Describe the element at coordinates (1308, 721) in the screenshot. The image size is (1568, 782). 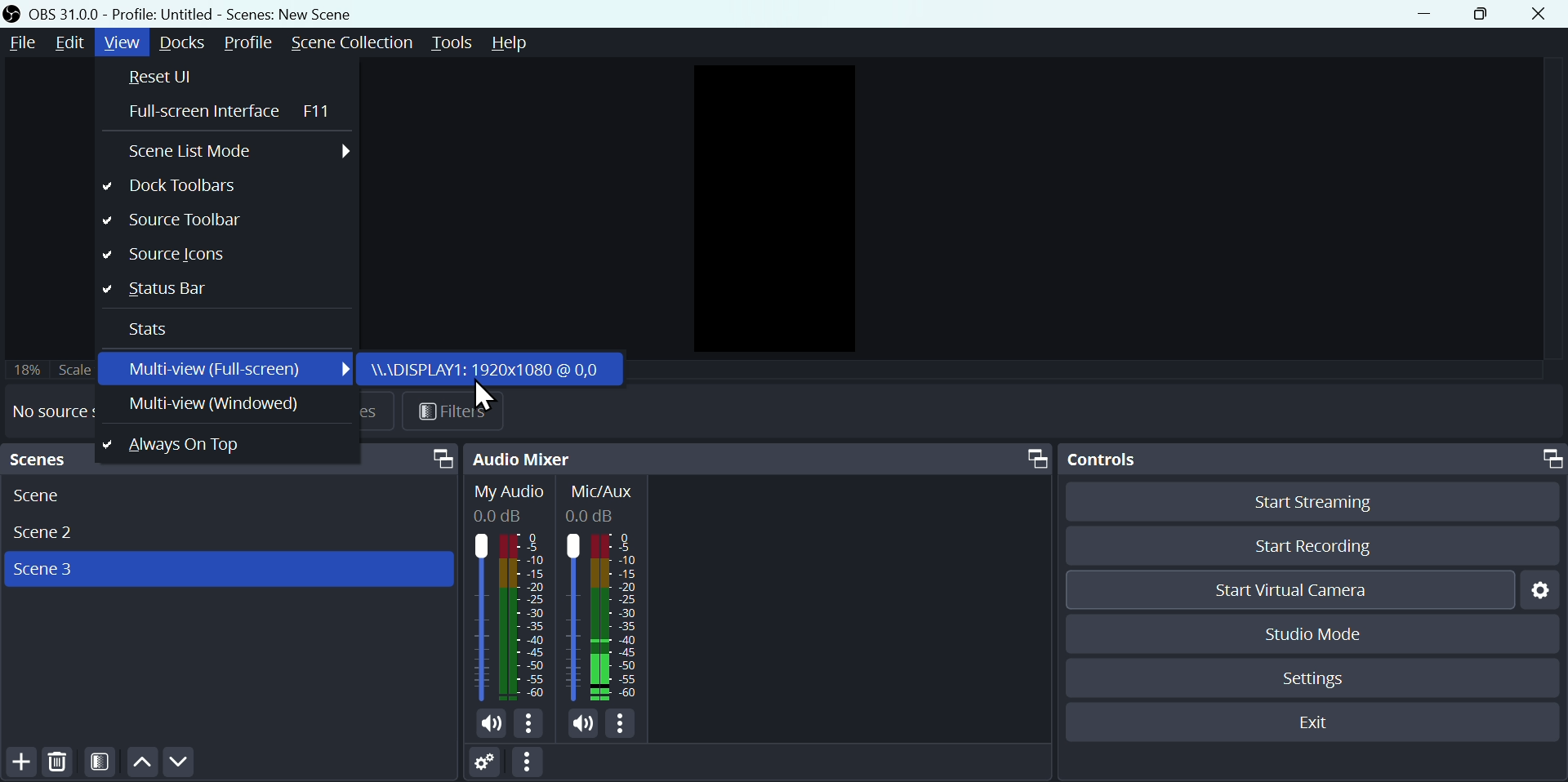
I see `Exit` at that location.